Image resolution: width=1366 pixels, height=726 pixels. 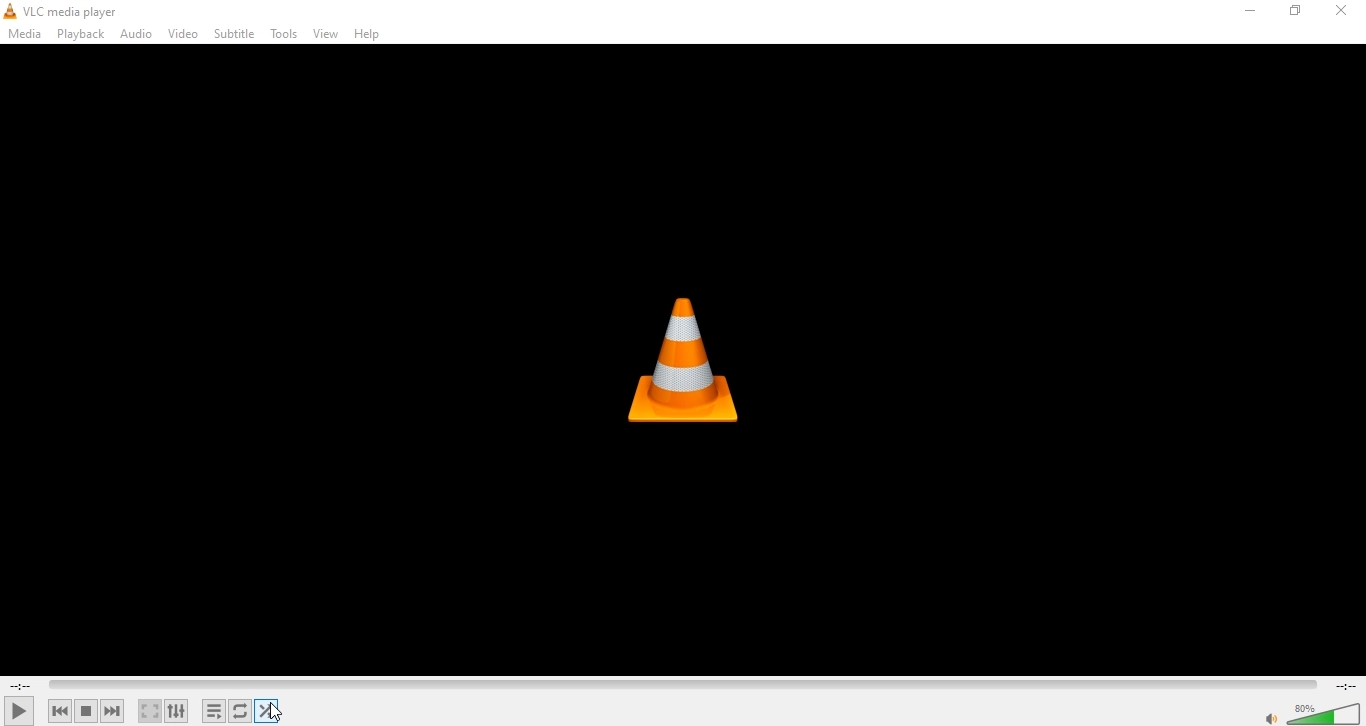 What do you see at coordinates (286, 35) in the screenshot?
I see `tools` at bounding box center [286, 35].